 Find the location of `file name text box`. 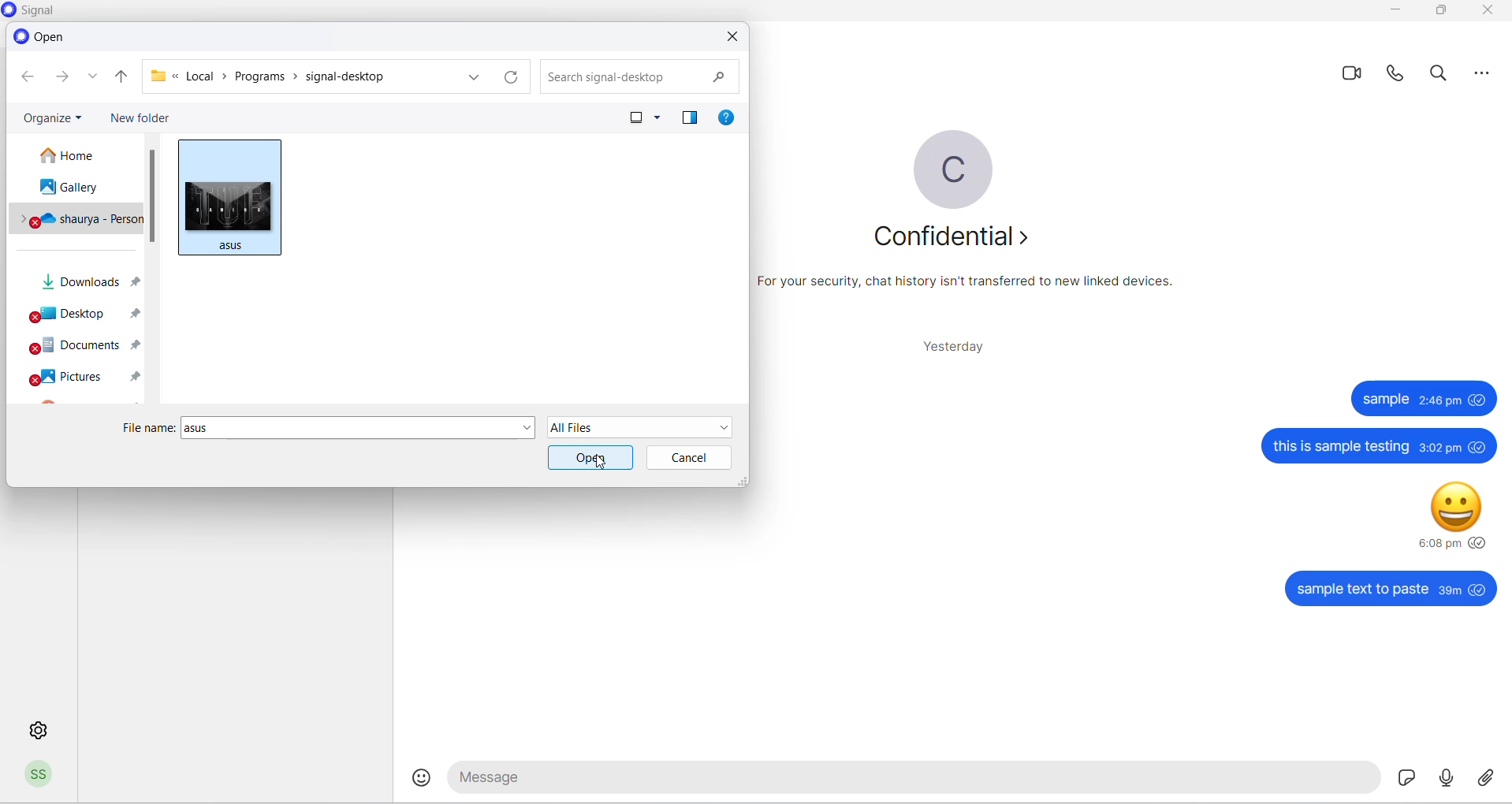

file name text box is located at coordinates (349, 428).